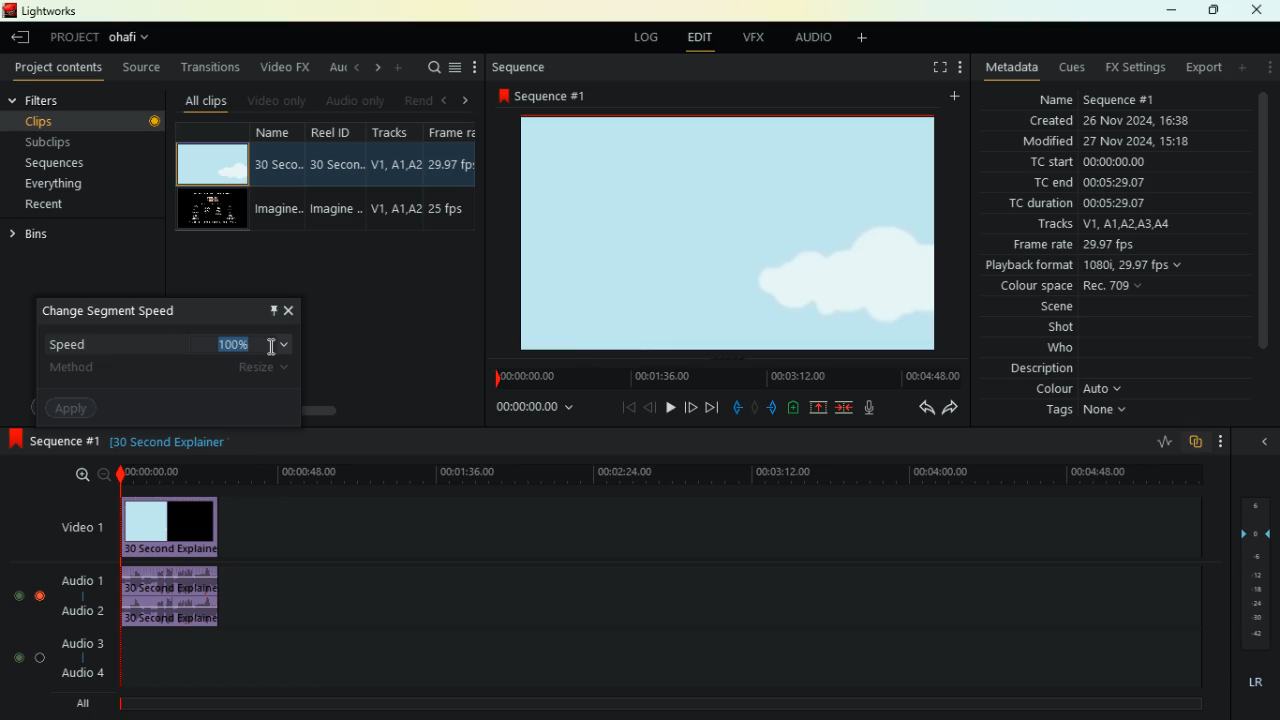 The width and height of the screenshot is (1280, 720). I want to click on audio, so click(182, 597).